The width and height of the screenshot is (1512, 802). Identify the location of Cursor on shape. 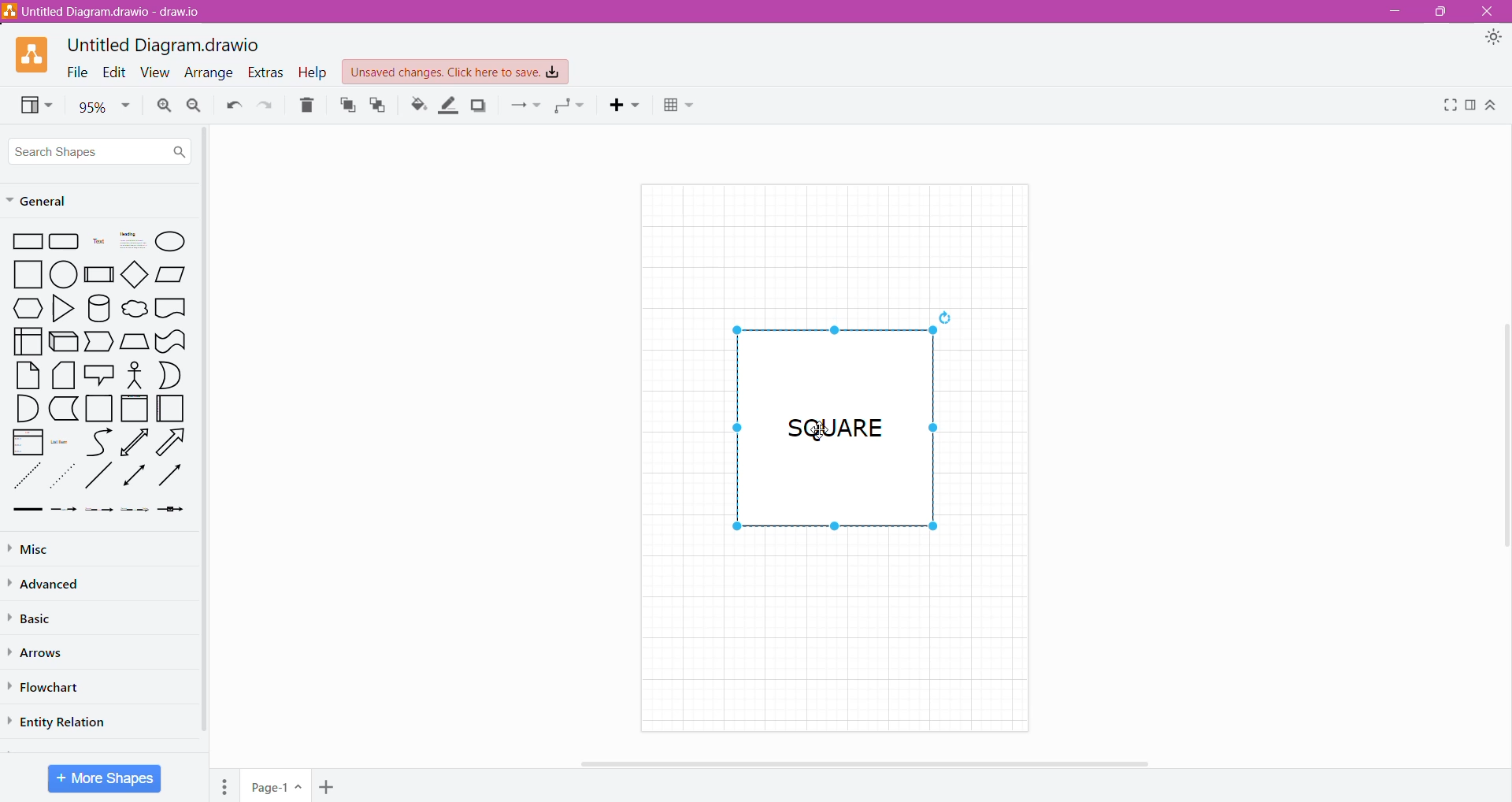
(816, 433).